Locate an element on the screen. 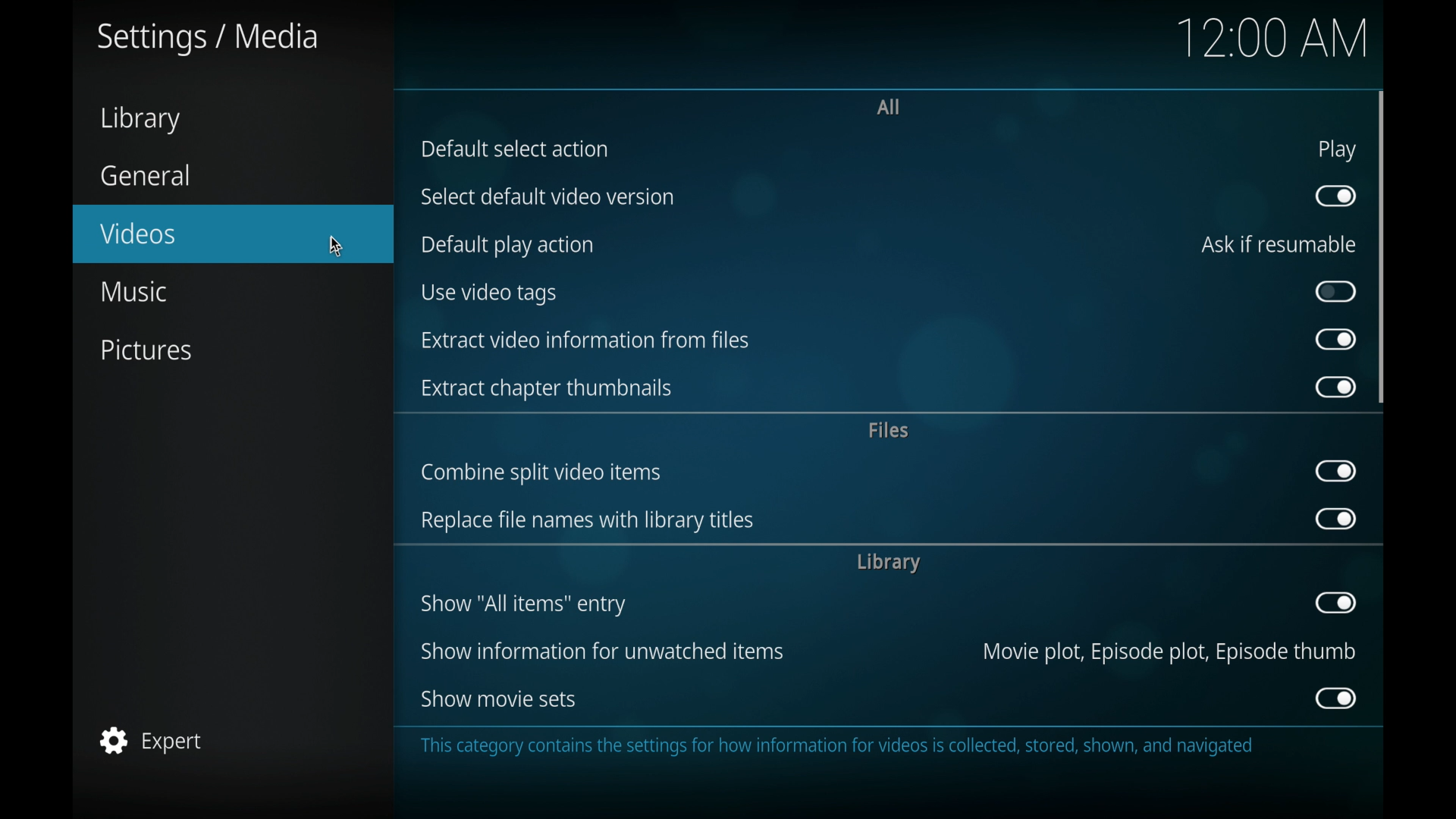  toggle button is located at coordinates (1336, 698).